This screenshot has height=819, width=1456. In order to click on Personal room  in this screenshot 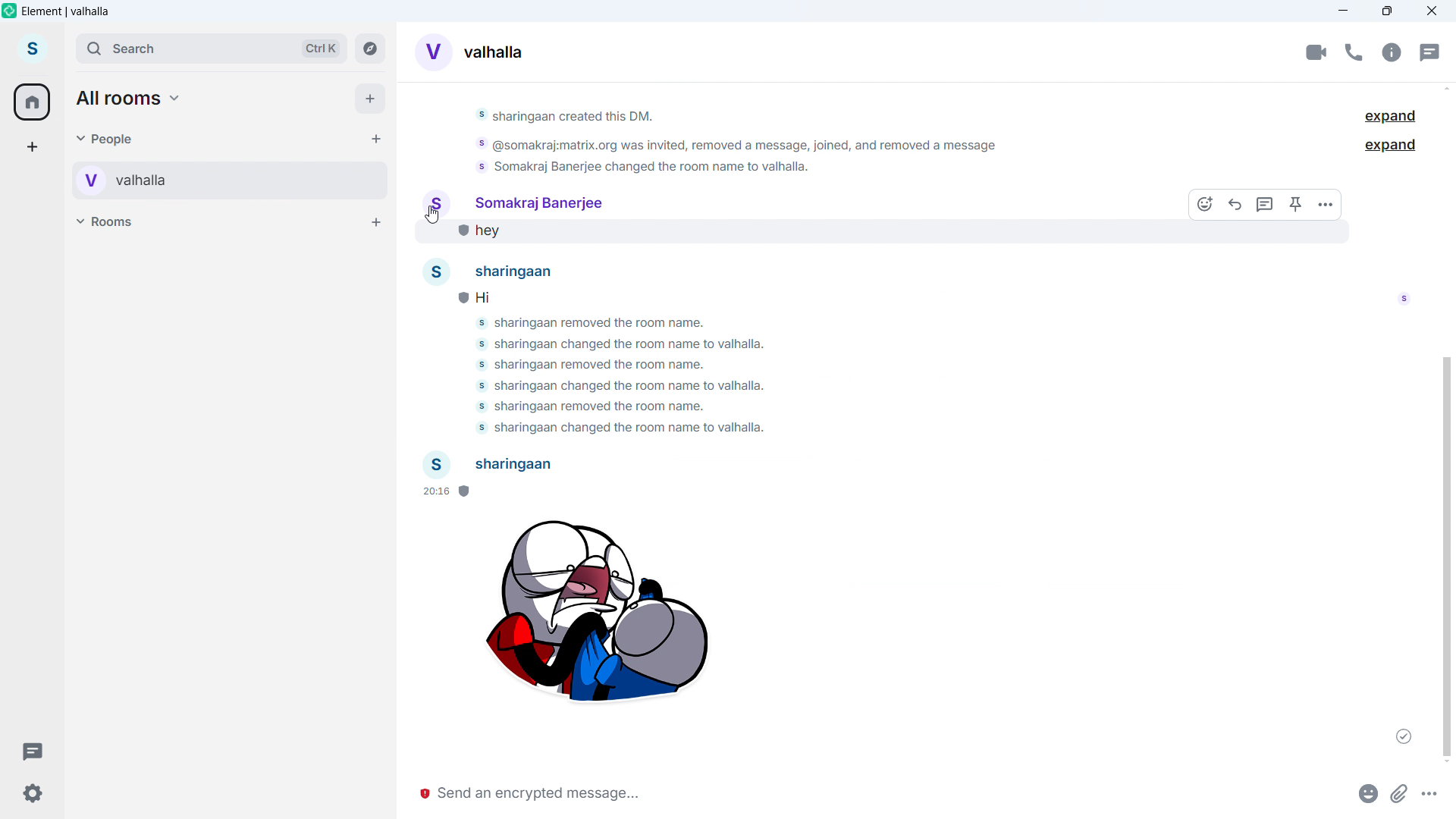, I will do `click(181, 180)`.